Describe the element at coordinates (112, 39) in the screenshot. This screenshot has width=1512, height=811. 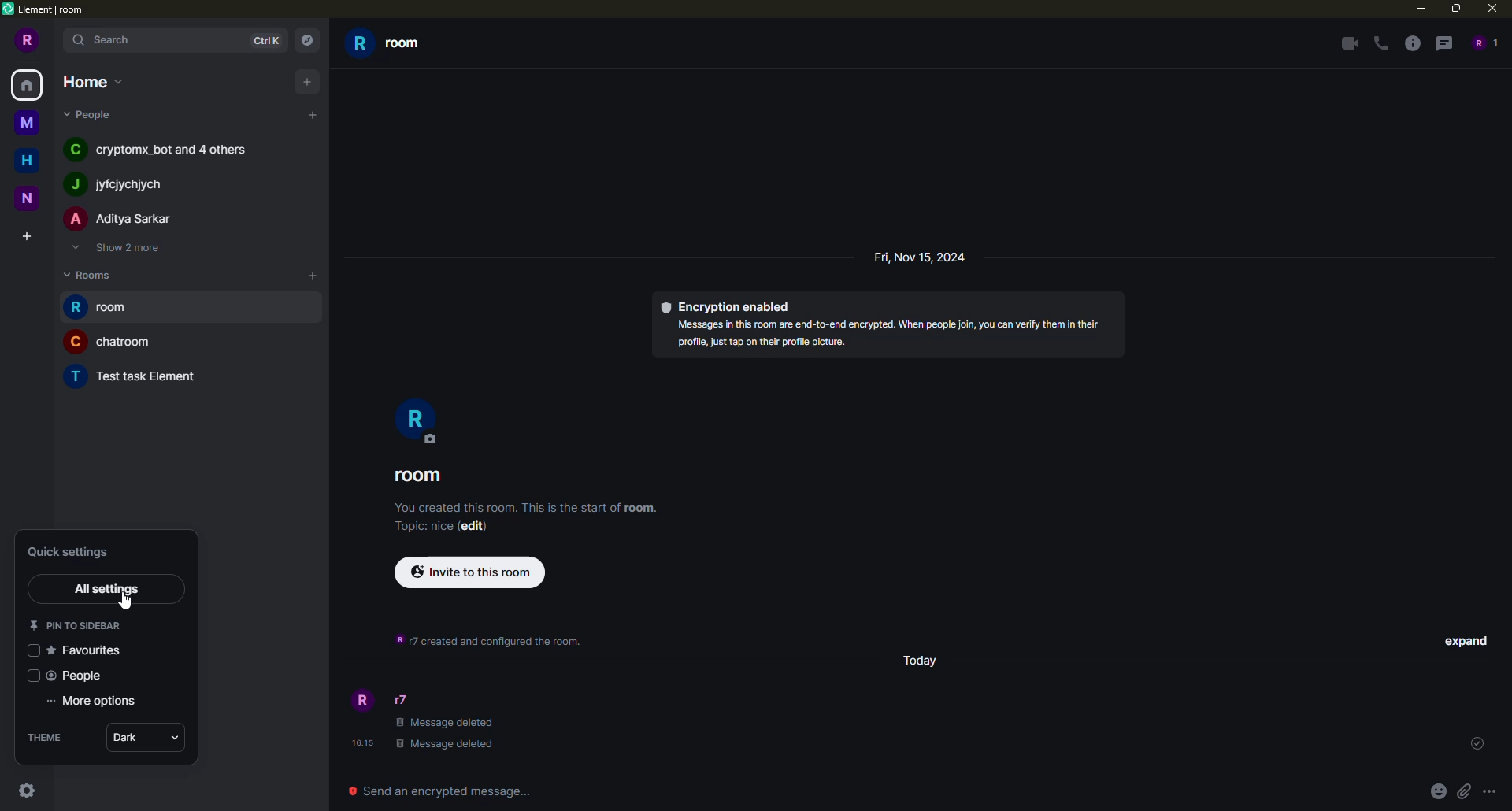
I see `search` at that location.